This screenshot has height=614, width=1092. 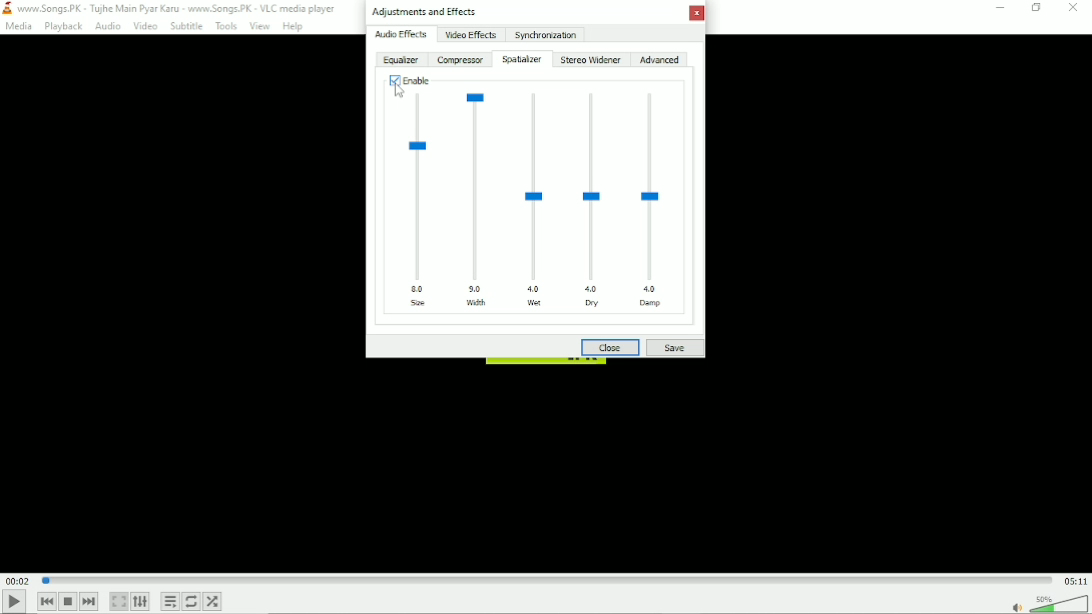 I want to click on View, so click(x=259, y=27).